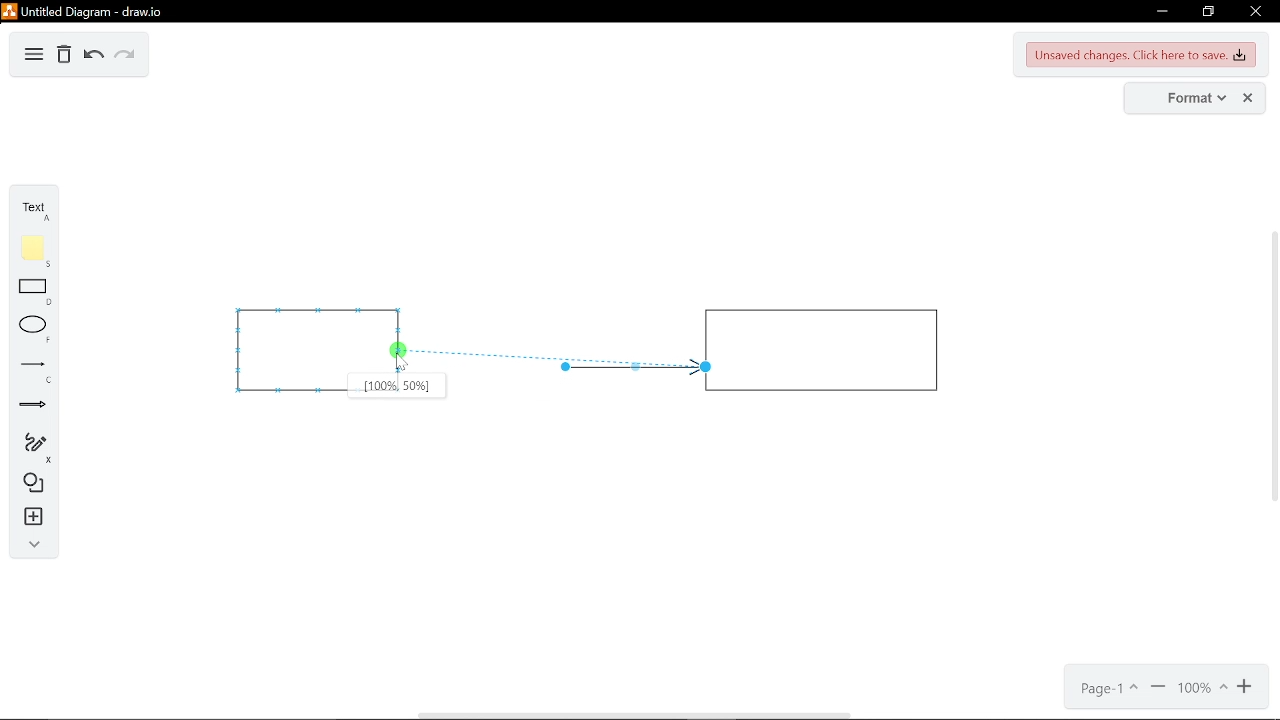 The image size is (1280, 720). I want to click on freehand, so click(30, 447).